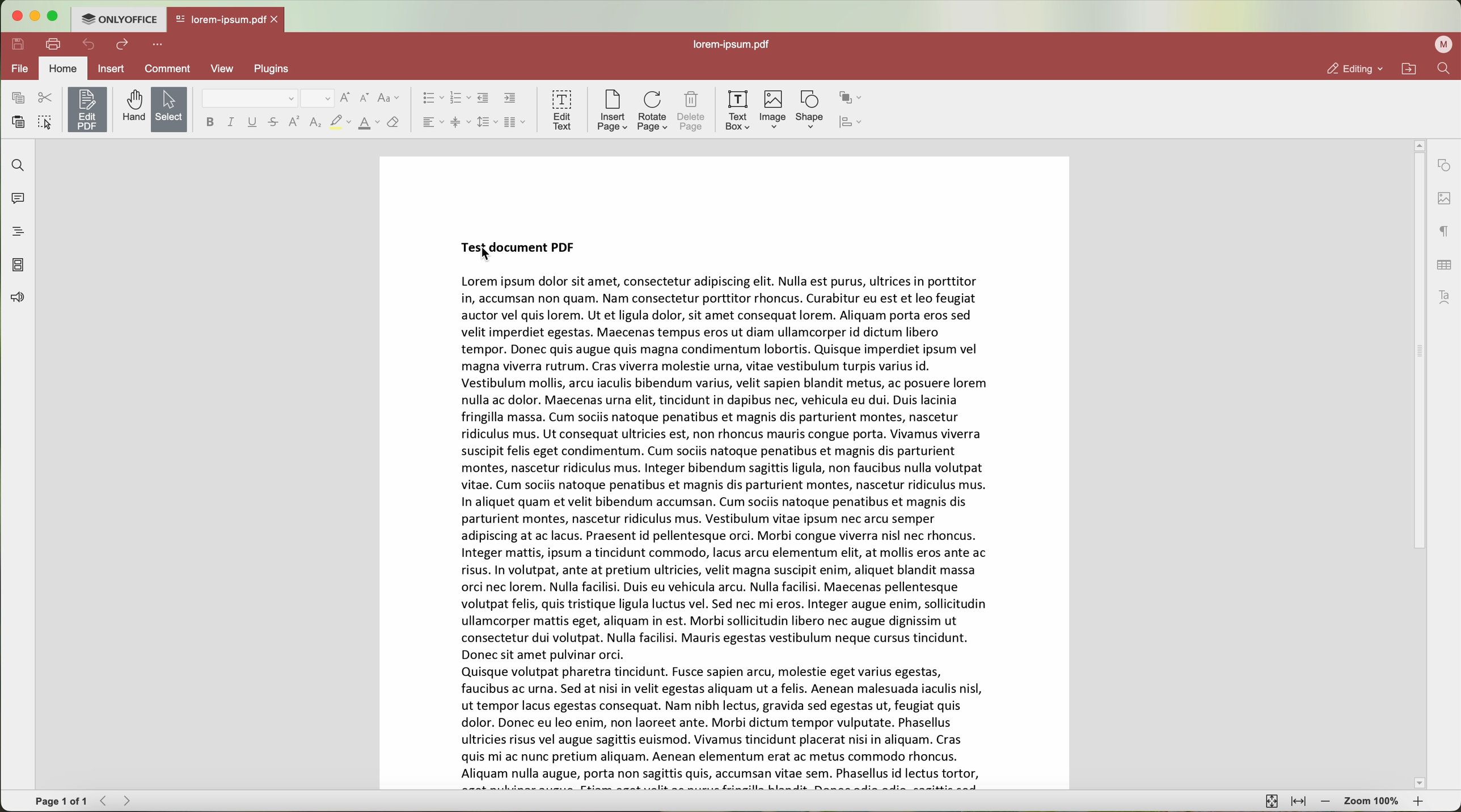 The height and width of the screenshot is (812, 1461). Describe the element at coordinates (169, 109) in the screenshot. I see `select` at that location.